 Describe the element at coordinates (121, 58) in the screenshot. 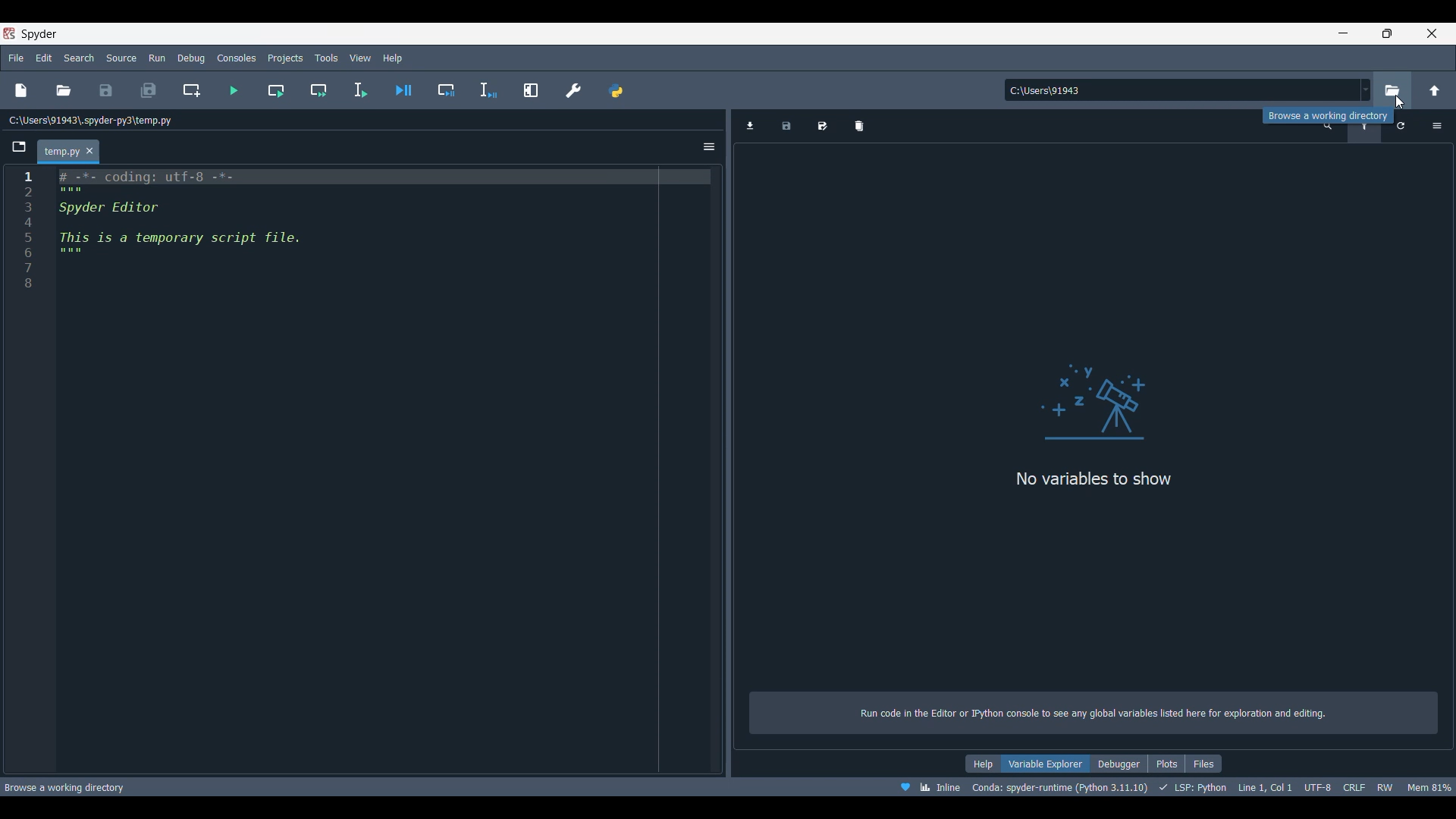

I see `Source menu` at that location.